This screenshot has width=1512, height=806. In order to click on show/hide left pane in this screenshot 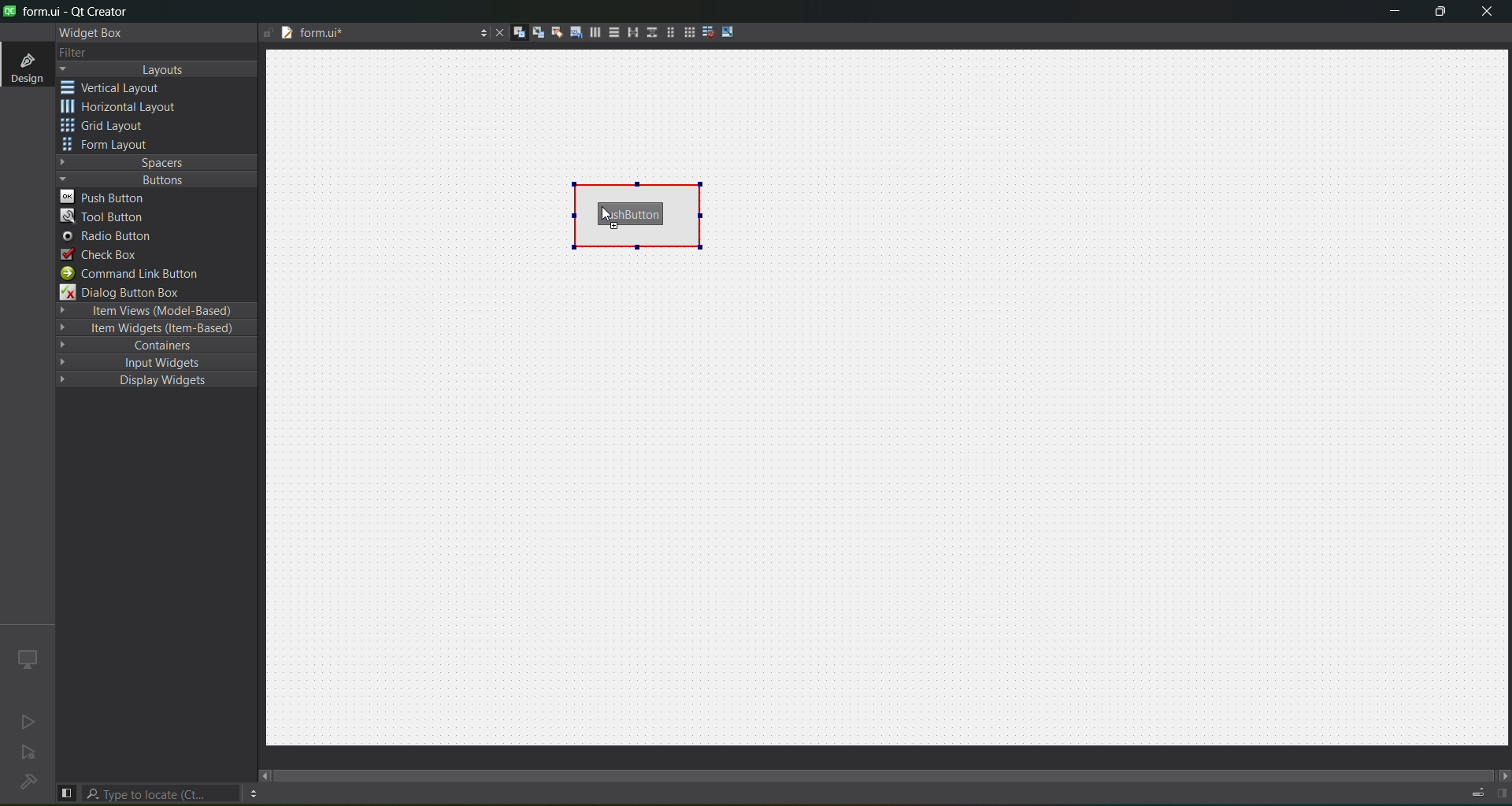, I will do `click(66, 792)`.